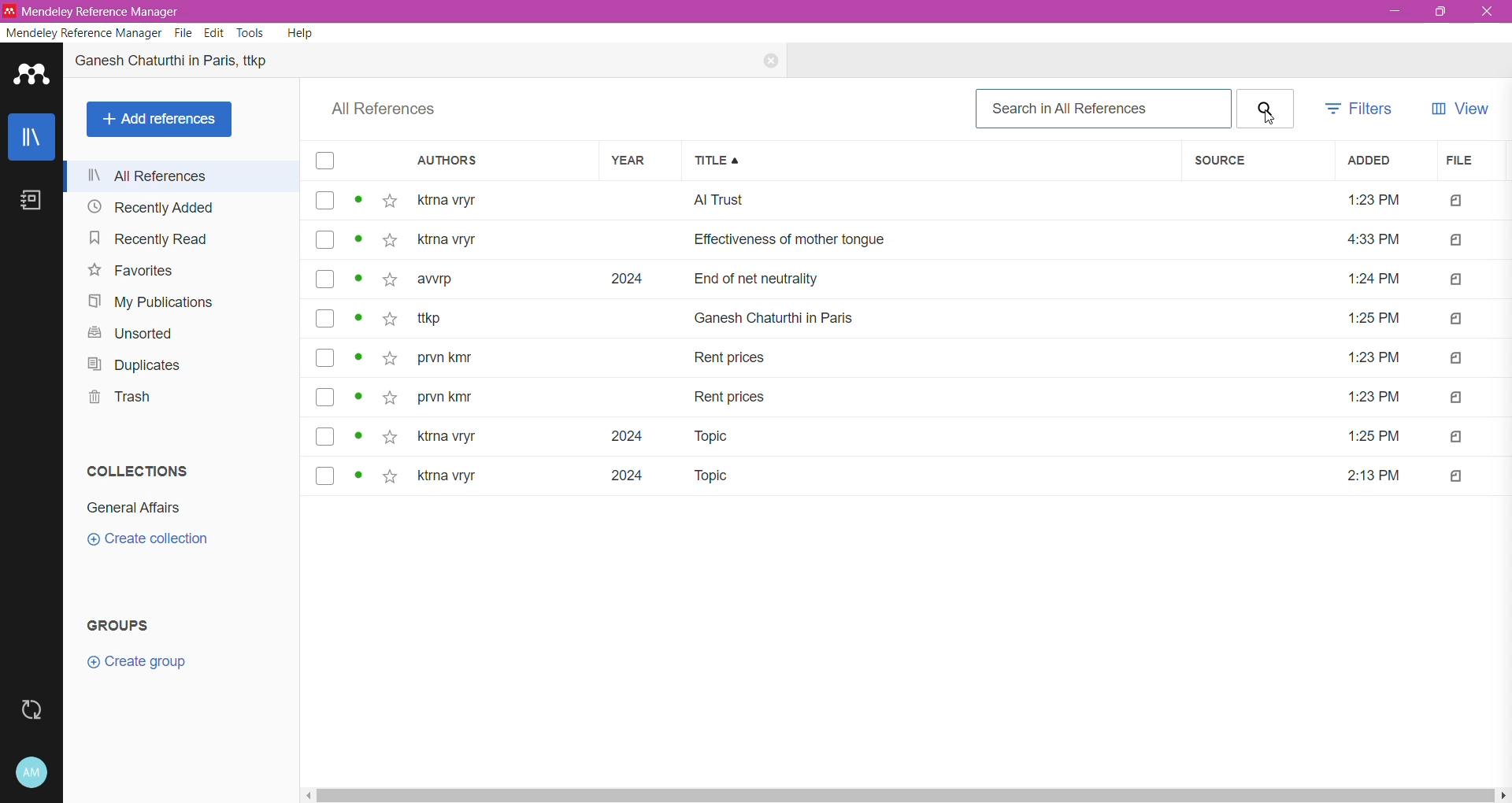 The width and height of the screenshot is (1512, 803). What do you see at coordinates (83, 33) in the screenshot?
I see `Mendeley Reference Manager` at bounding box center [83, 33].